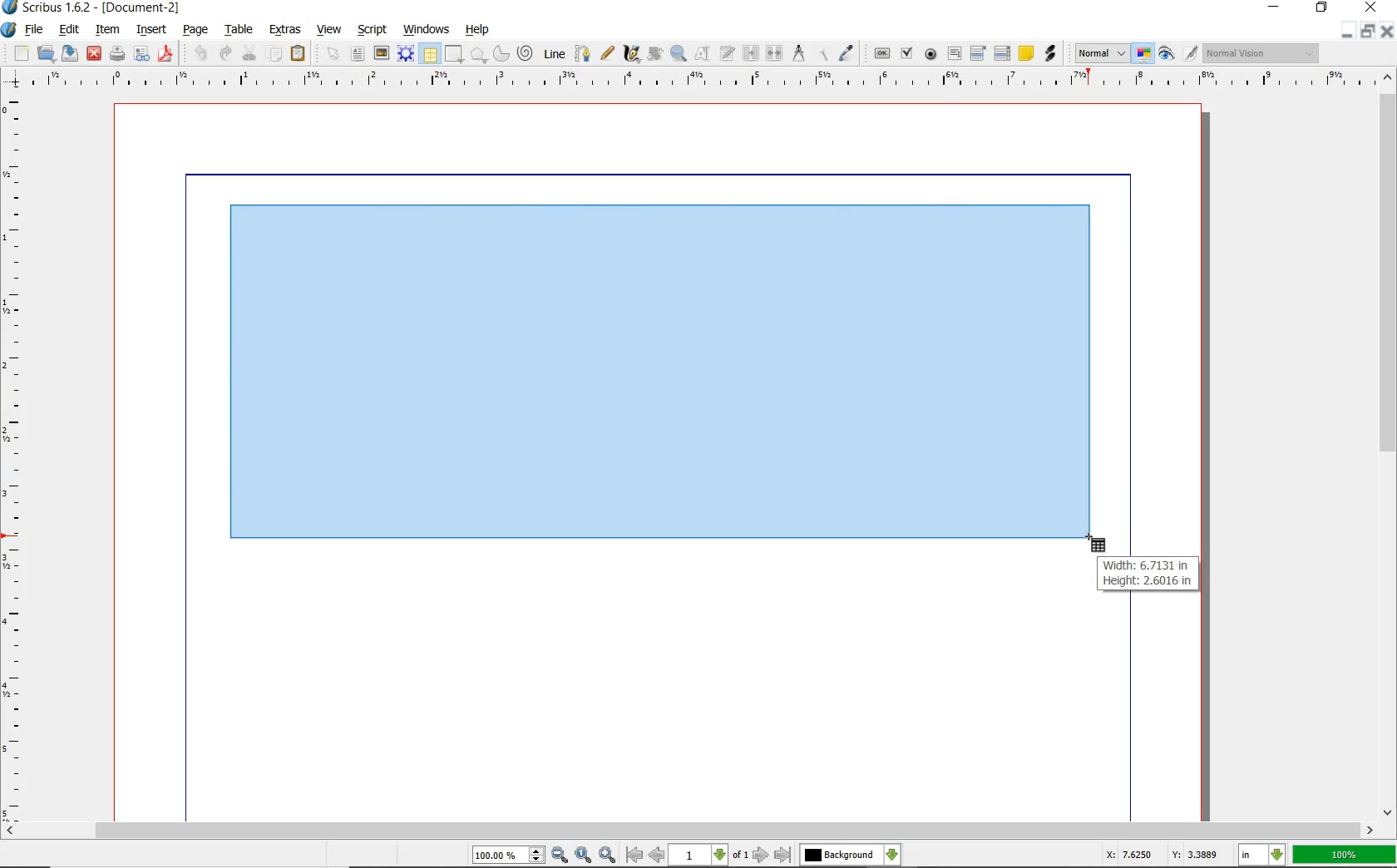 This screenshot has height=868, width=1397. I want to click on eye dropper, so click(846, 52).